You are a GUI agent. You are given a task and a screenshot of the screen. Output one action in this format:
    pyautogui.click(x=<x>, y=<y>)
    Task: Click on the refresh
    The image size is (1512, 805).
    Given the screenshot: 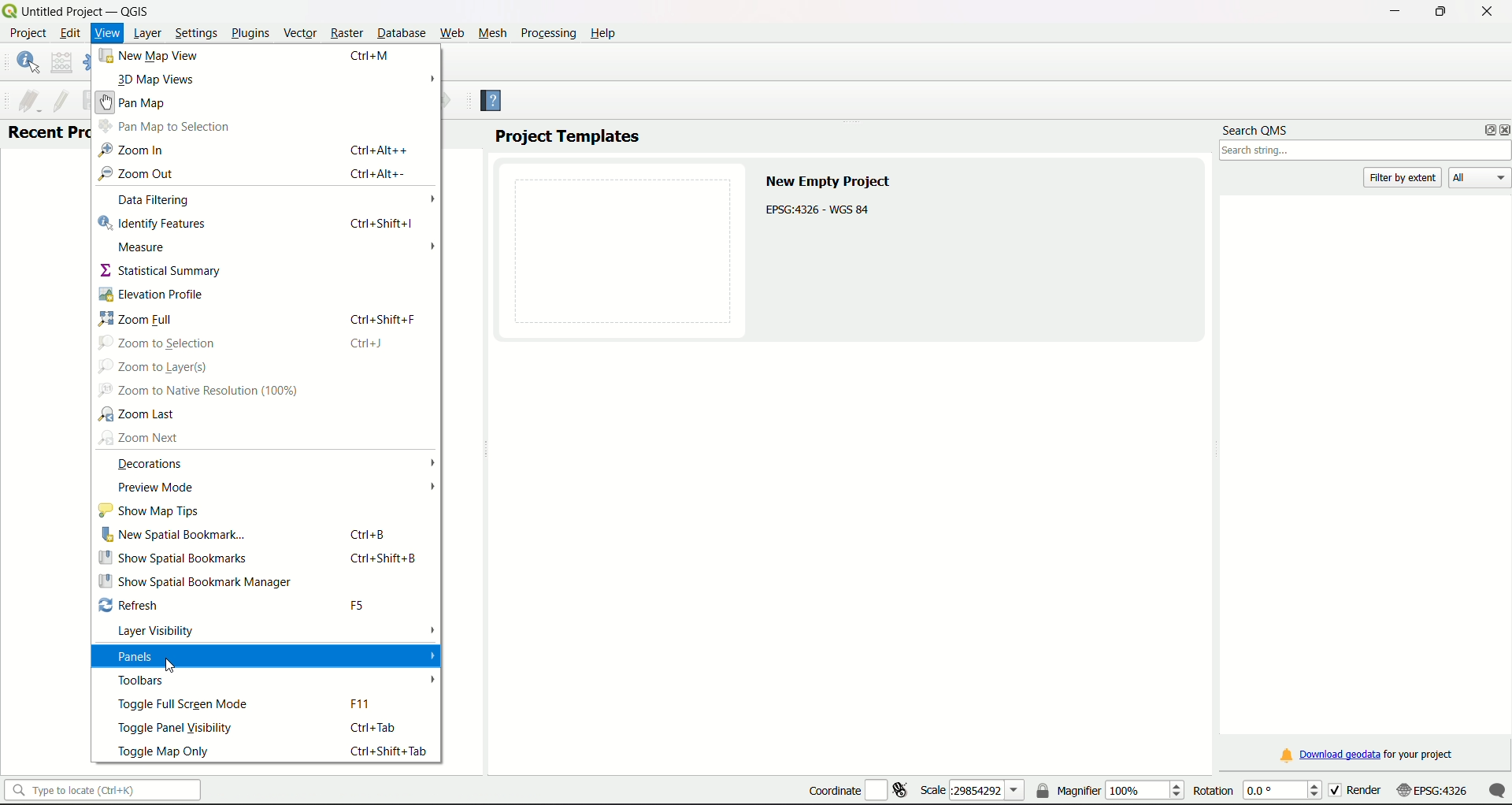 What is the action you would take?
    pyautogui.click(x=132, y=605)
    